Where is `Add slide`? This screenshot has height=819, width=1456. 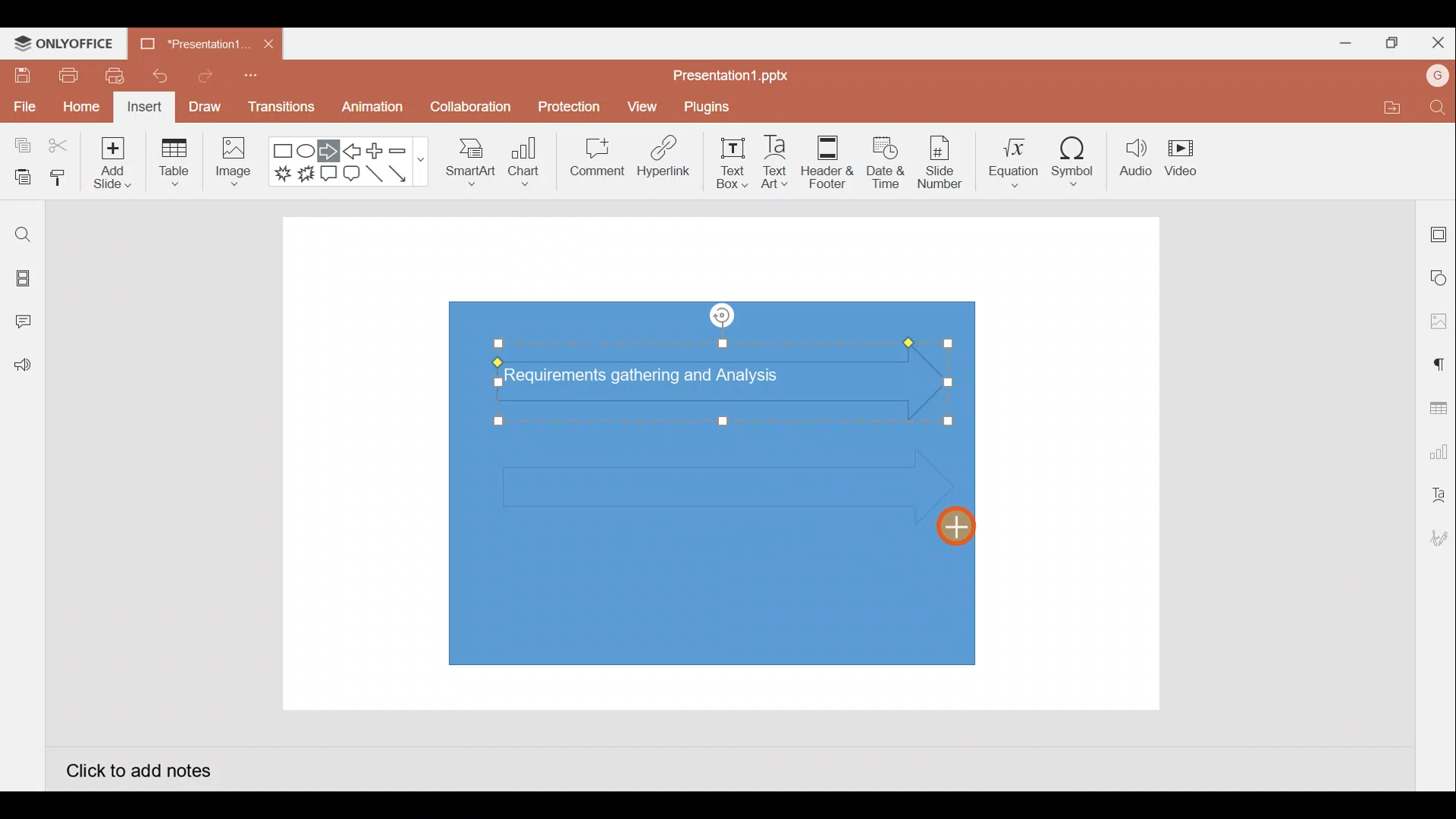 Add slide is located at coordinates (110, 159).